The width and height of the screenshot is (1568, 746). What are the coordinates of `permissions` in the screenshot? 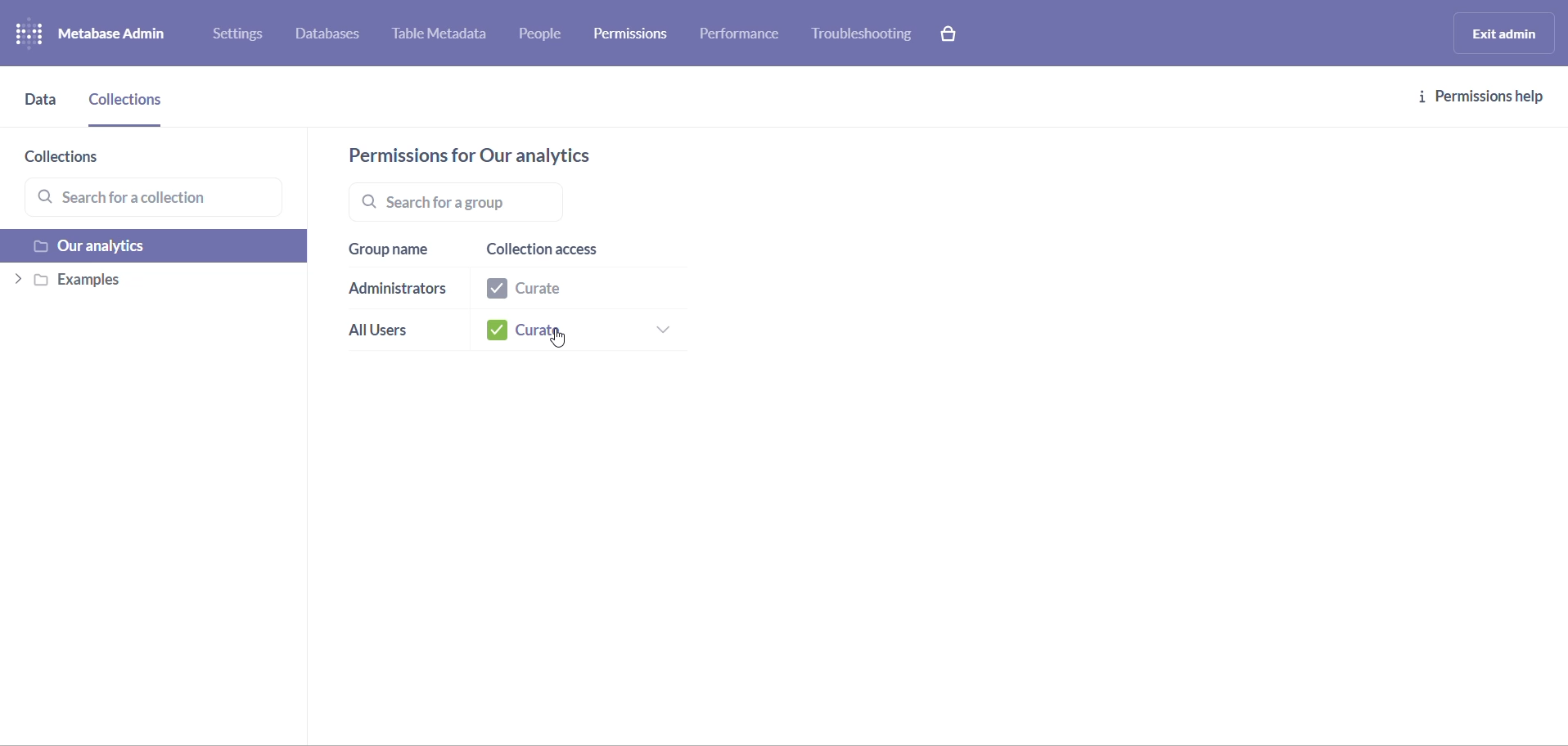 It's located at (636, 32).